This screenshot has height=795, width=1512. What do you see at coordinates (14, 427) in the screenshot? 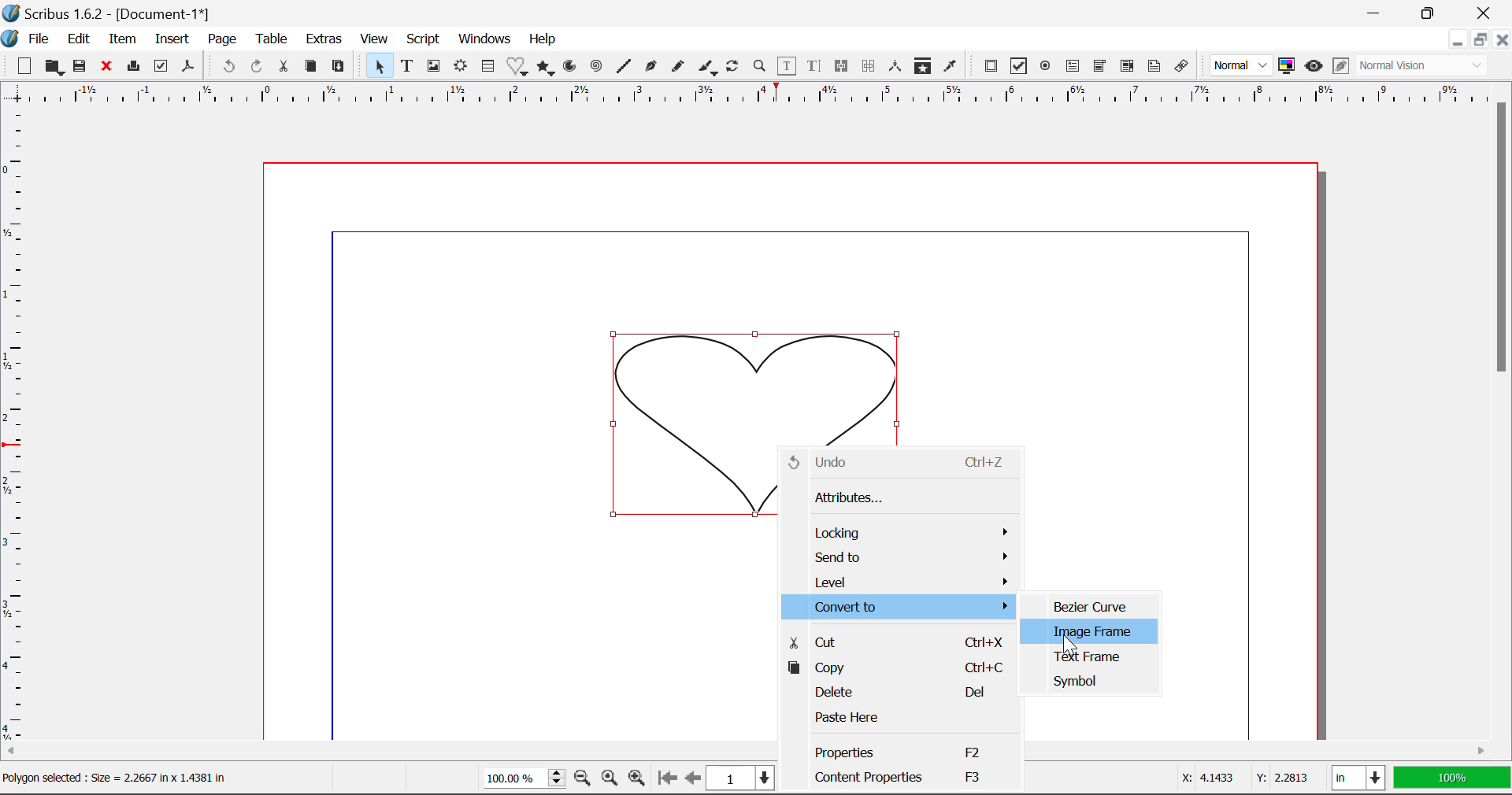
I see `Horizontal Page Margins` at bounding box center [14, 427].